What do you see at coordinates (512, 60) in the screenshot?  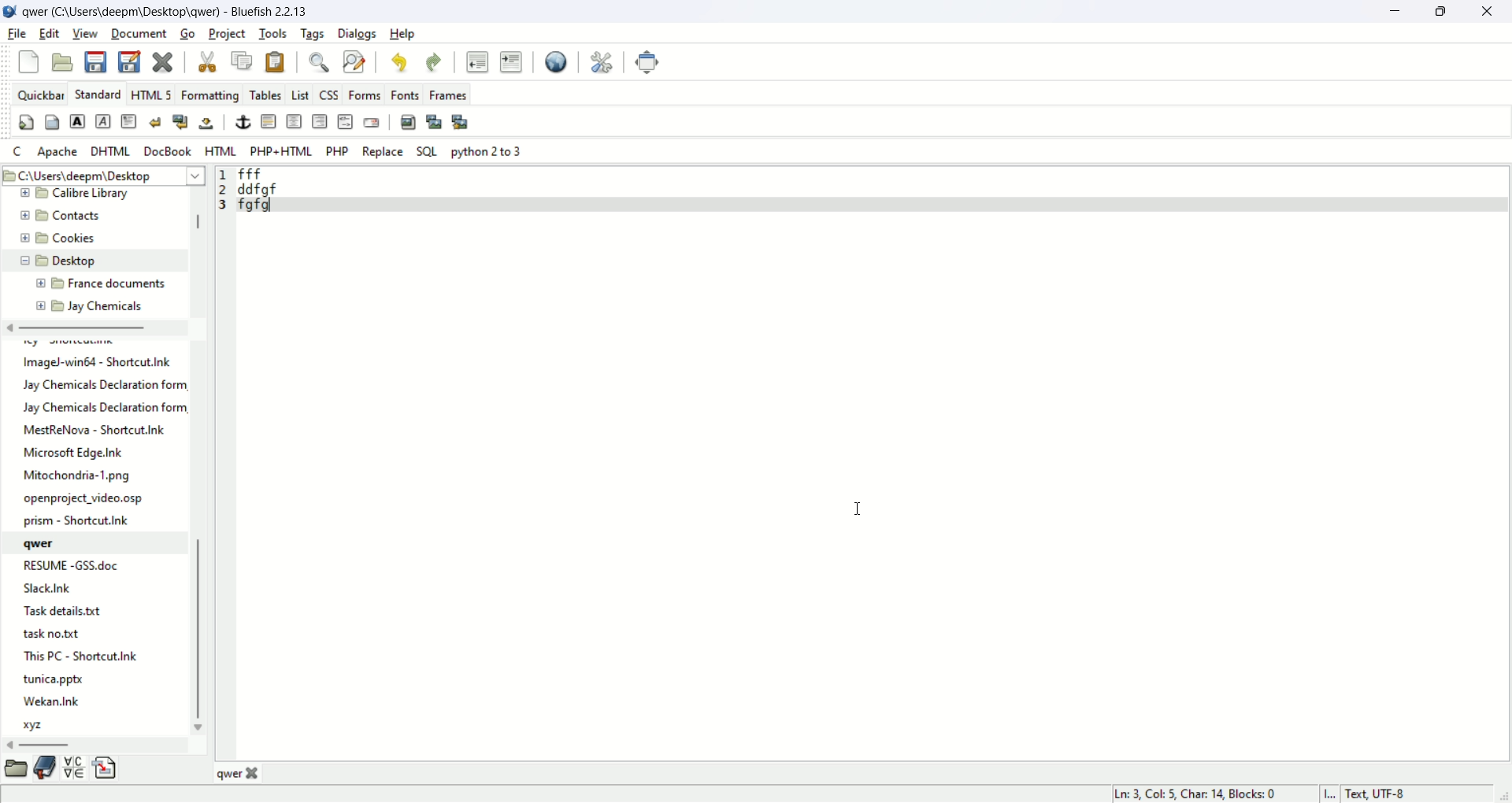 I see `indent` at bounding box center [512, 60].